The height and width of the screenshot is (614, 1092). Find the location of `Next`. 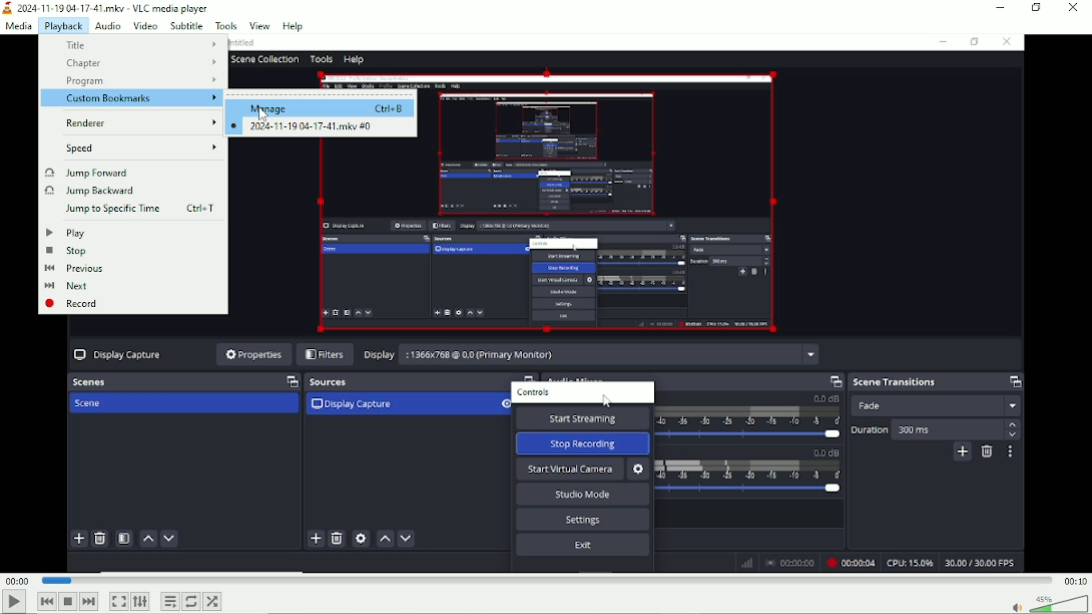

Next is located at coordinates (89, 601).